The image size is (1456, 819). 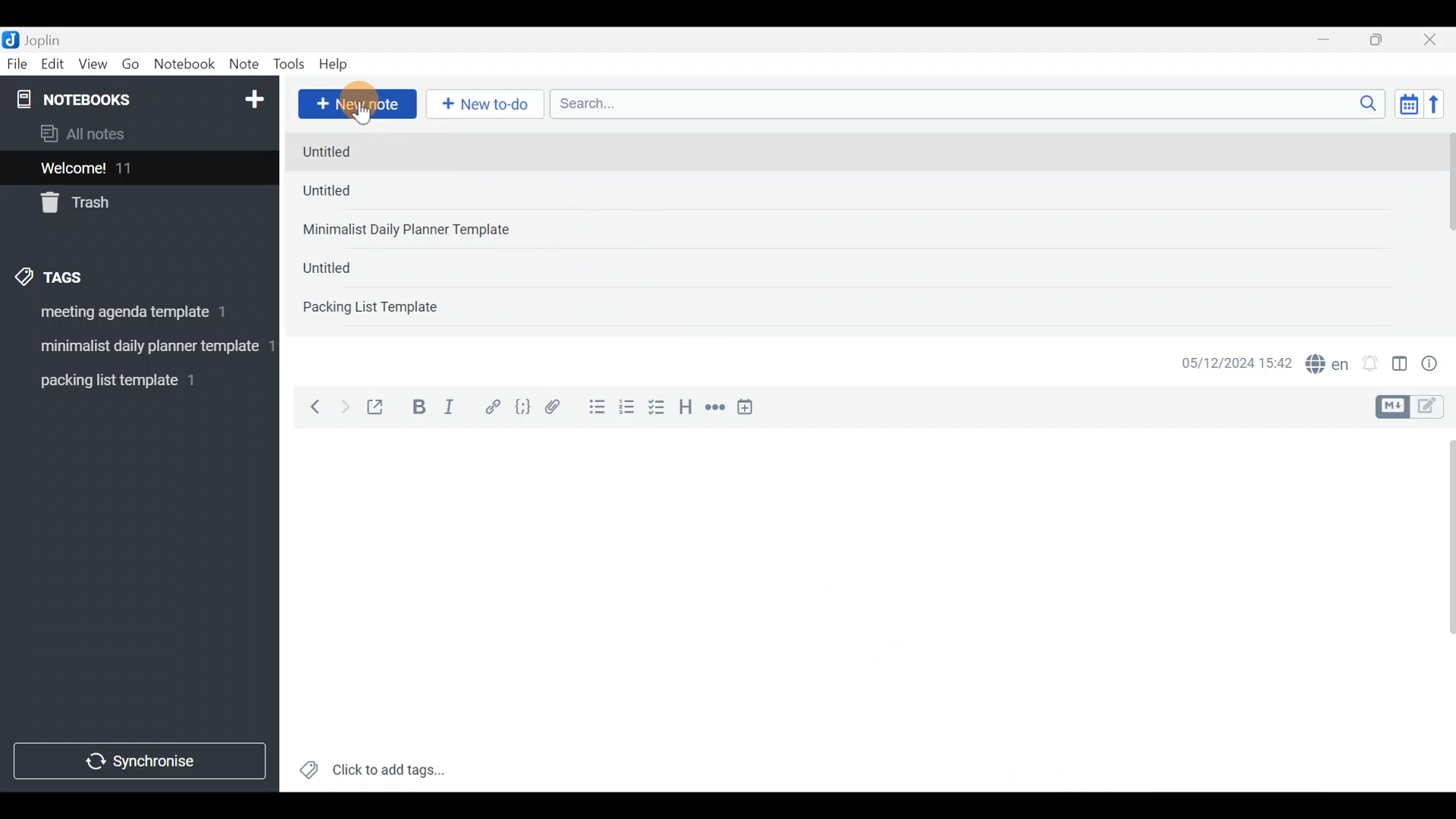 What do you see at coordinates (309, 406) in the screenshot?
I see `Back` at bounding box center [309, 406].